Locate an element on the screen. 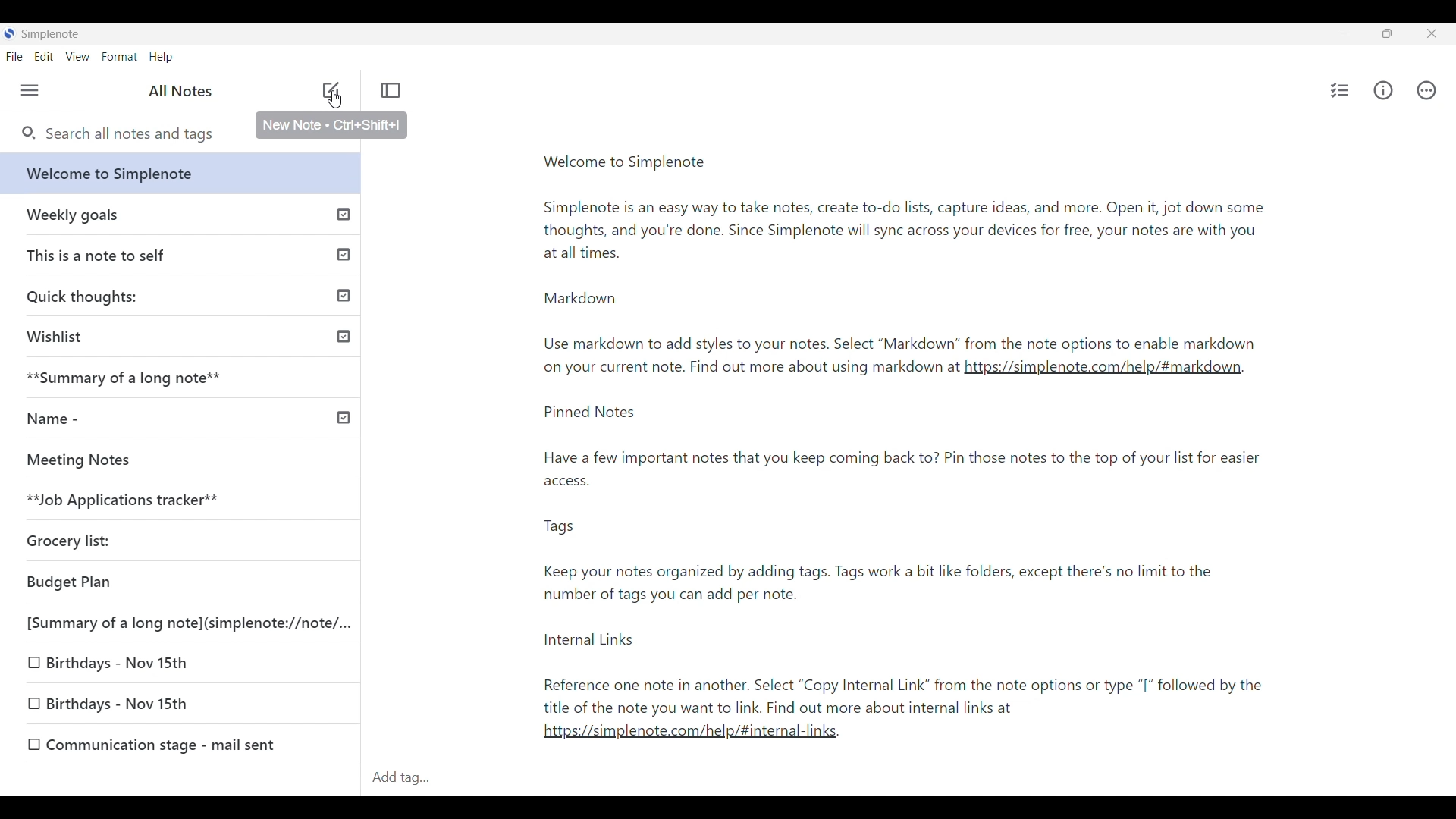 This screenshot has height=819, width=1456. Format menu is located at coordinates (120, 57).